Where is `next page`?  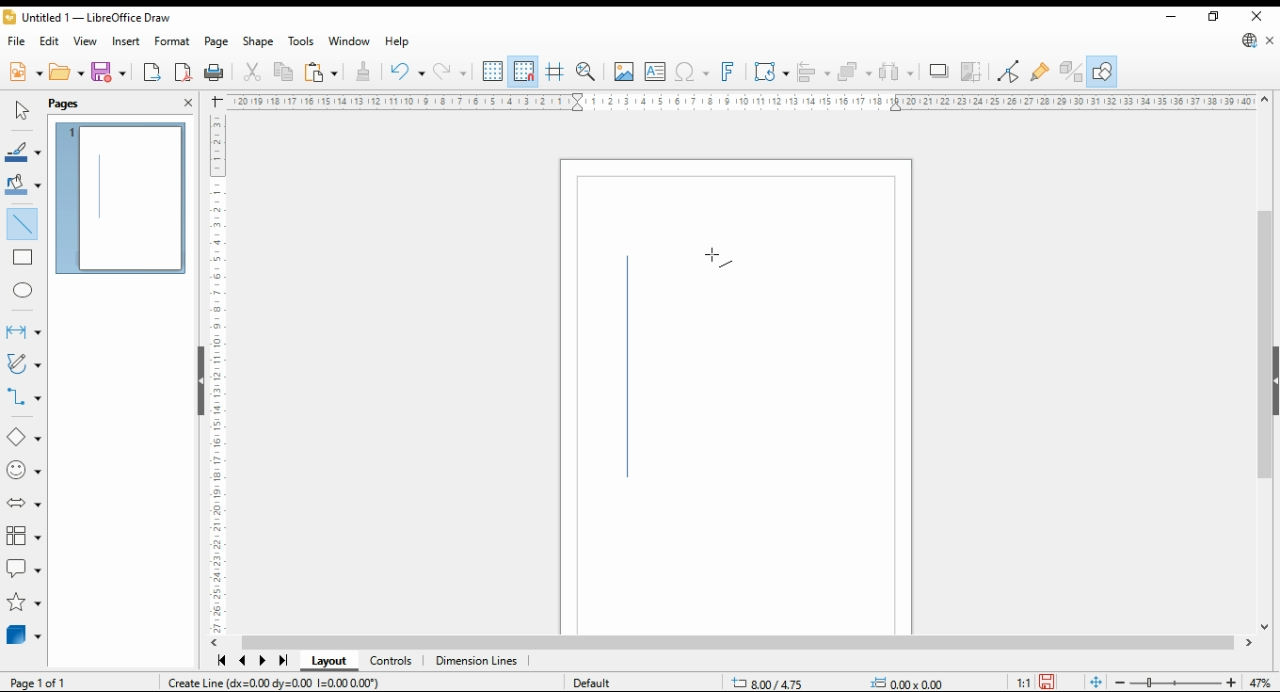
next page is located at coordinates (262, 662).